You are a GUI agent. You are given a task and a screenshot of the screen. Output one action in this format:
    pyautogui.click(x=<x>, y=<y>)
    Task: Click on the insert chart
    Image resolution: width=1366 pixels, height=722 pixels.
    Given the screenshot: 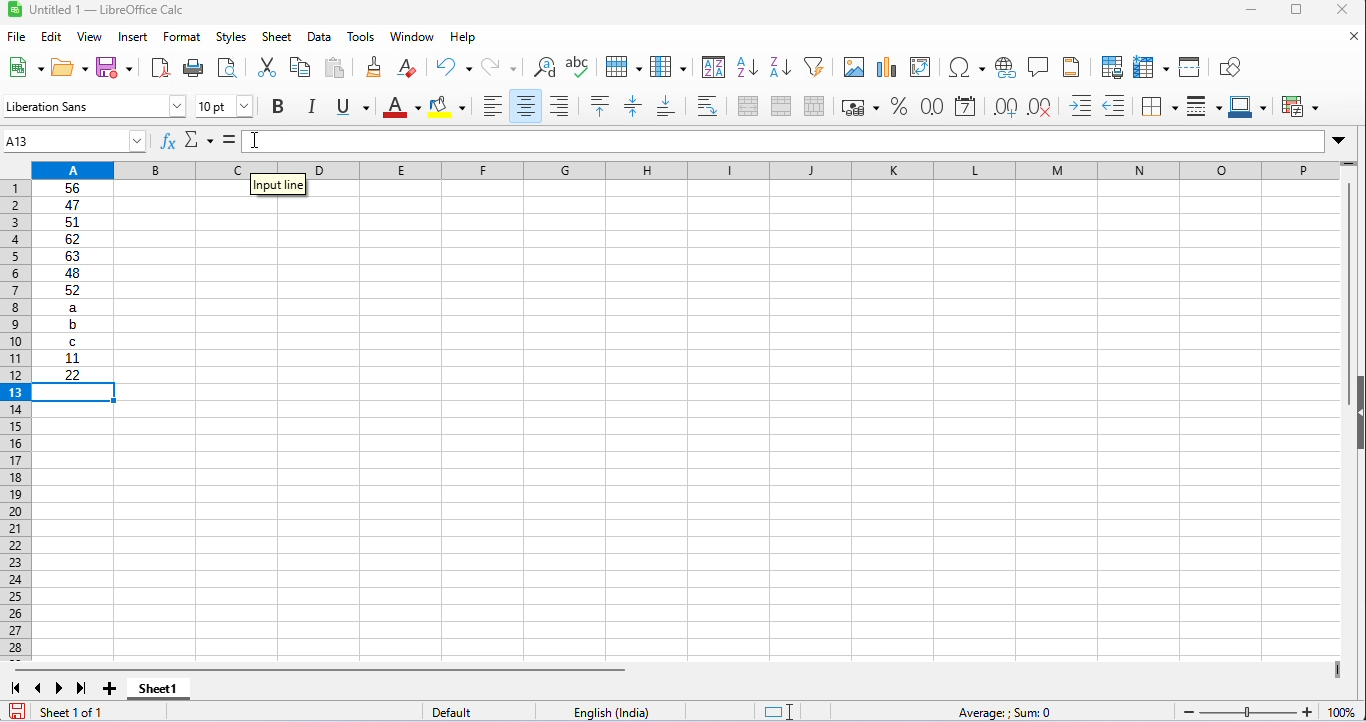 What is the action you would take?
    pyautogui.click(x=885, y=68)
    